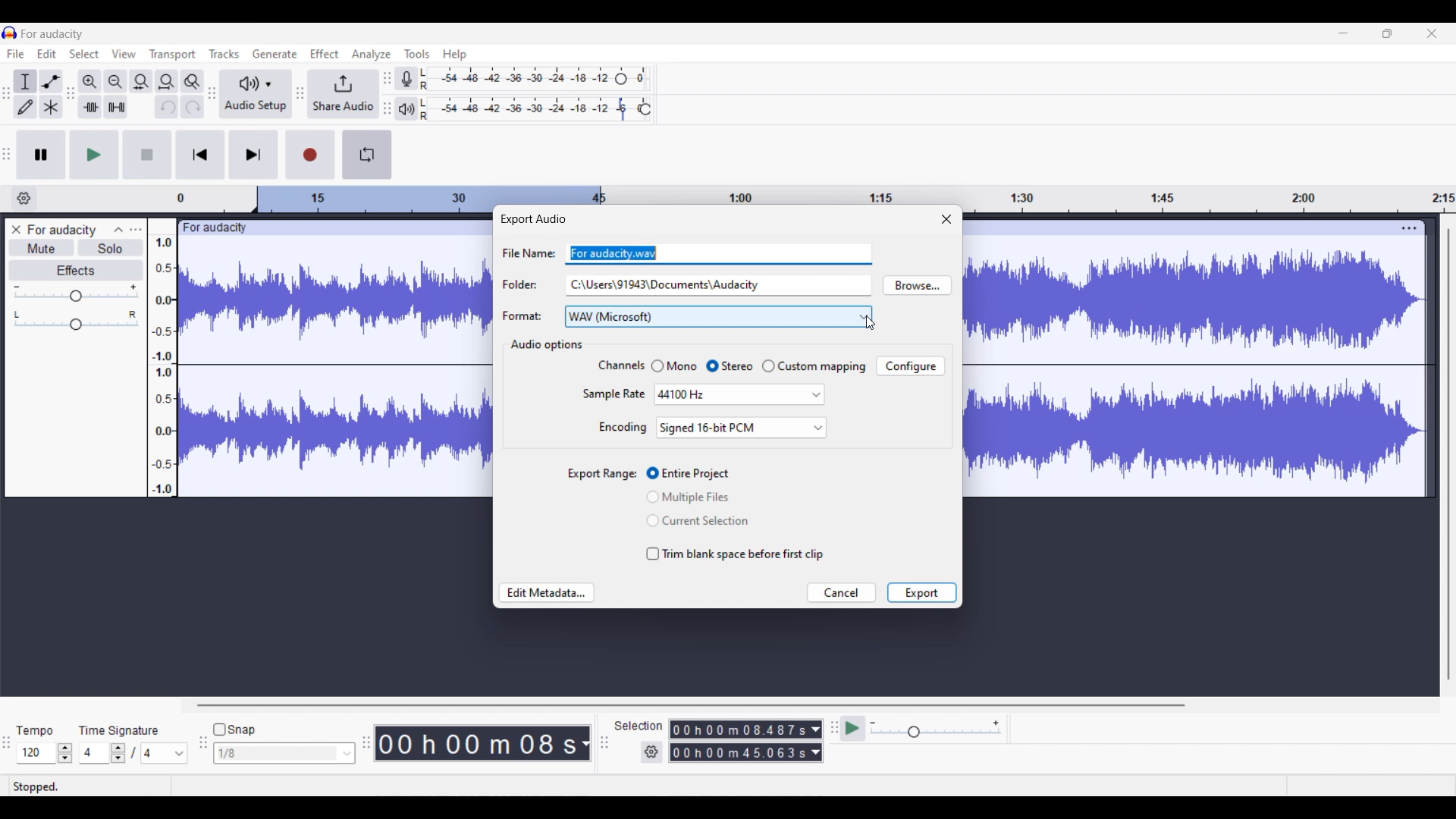  I want to click on Text box for Folders, so click(717, 284).